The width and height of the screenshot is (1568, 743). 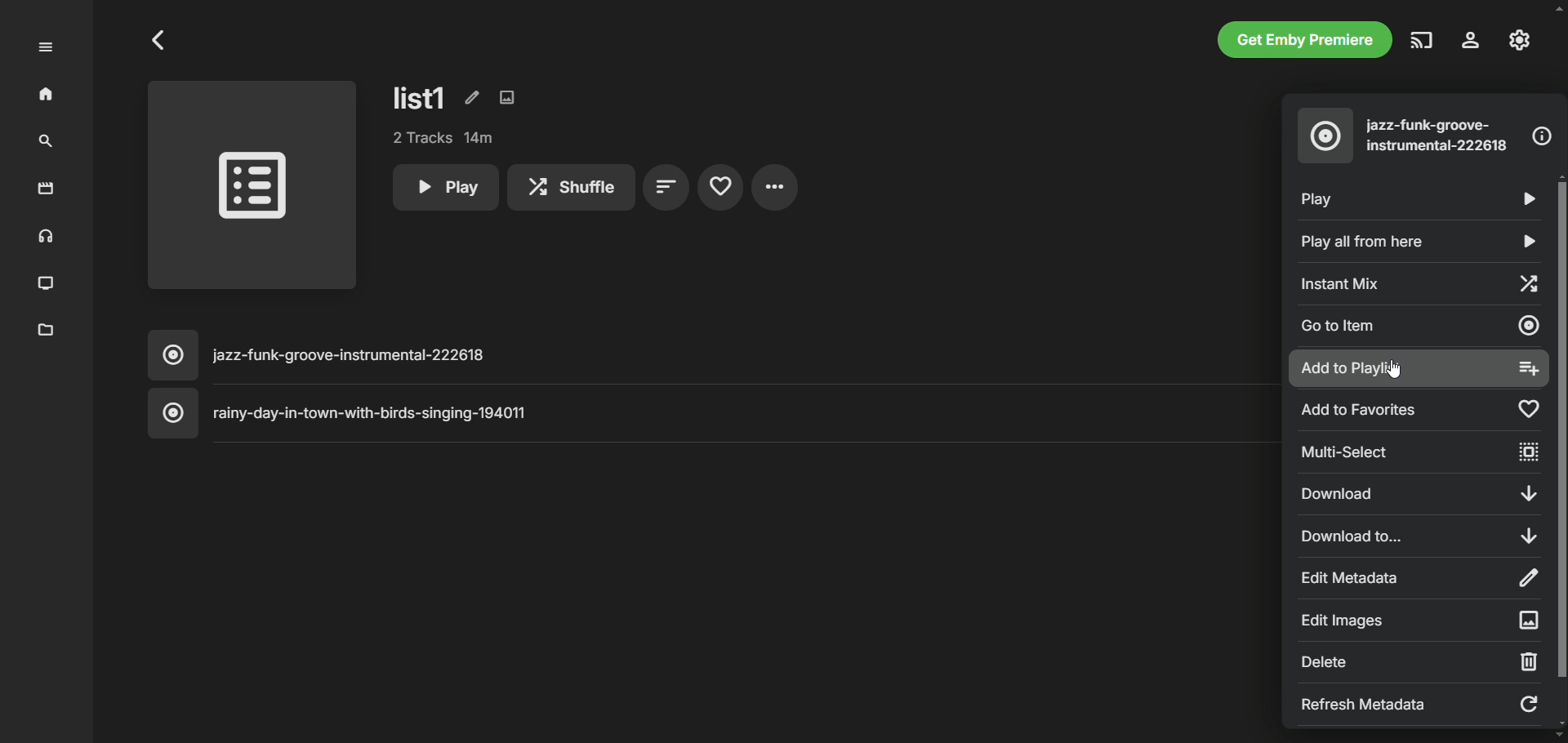 I want to click on sort, so click(x=666, y=188).